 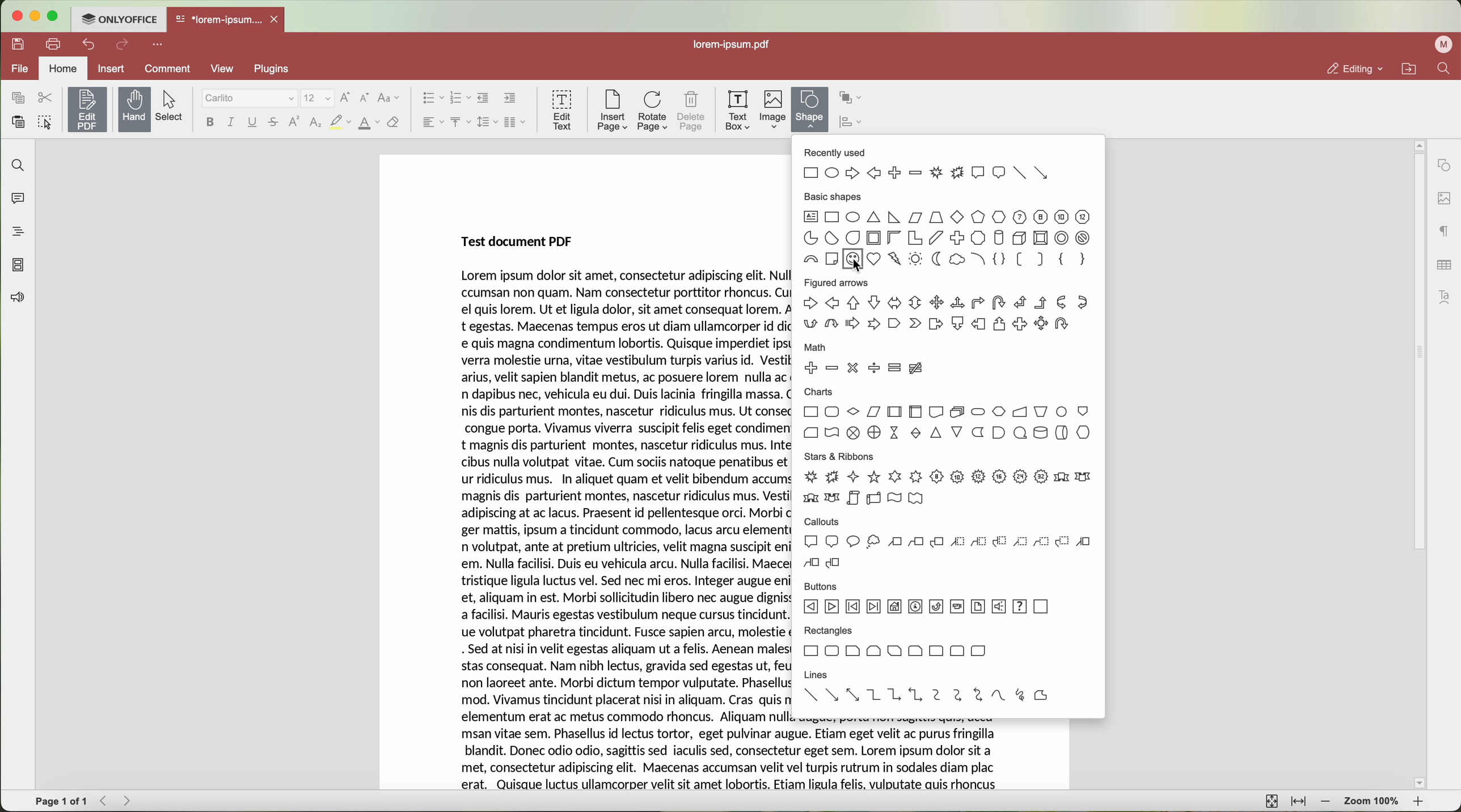 I want to click on numbered list, so click(x=460, y=98).